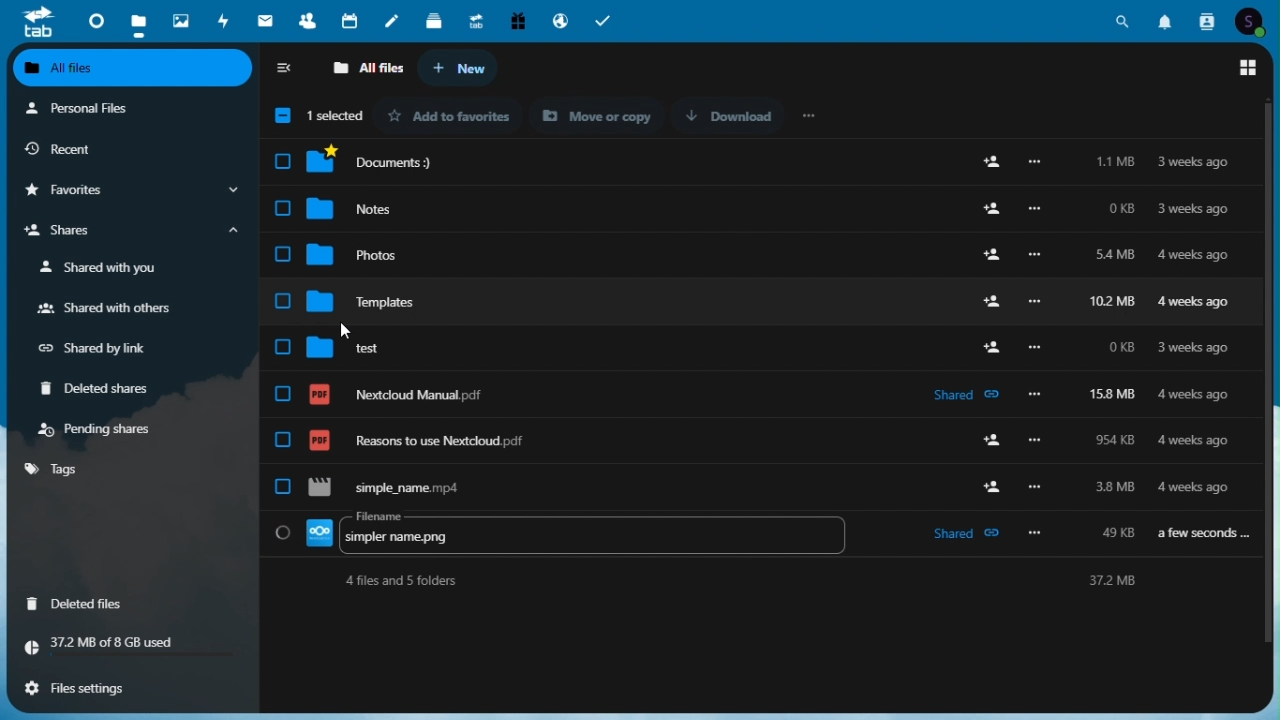  What do you see at coordinates (367, 69) in the screenshot?
I see `all files` at bounding box center [367, 69].